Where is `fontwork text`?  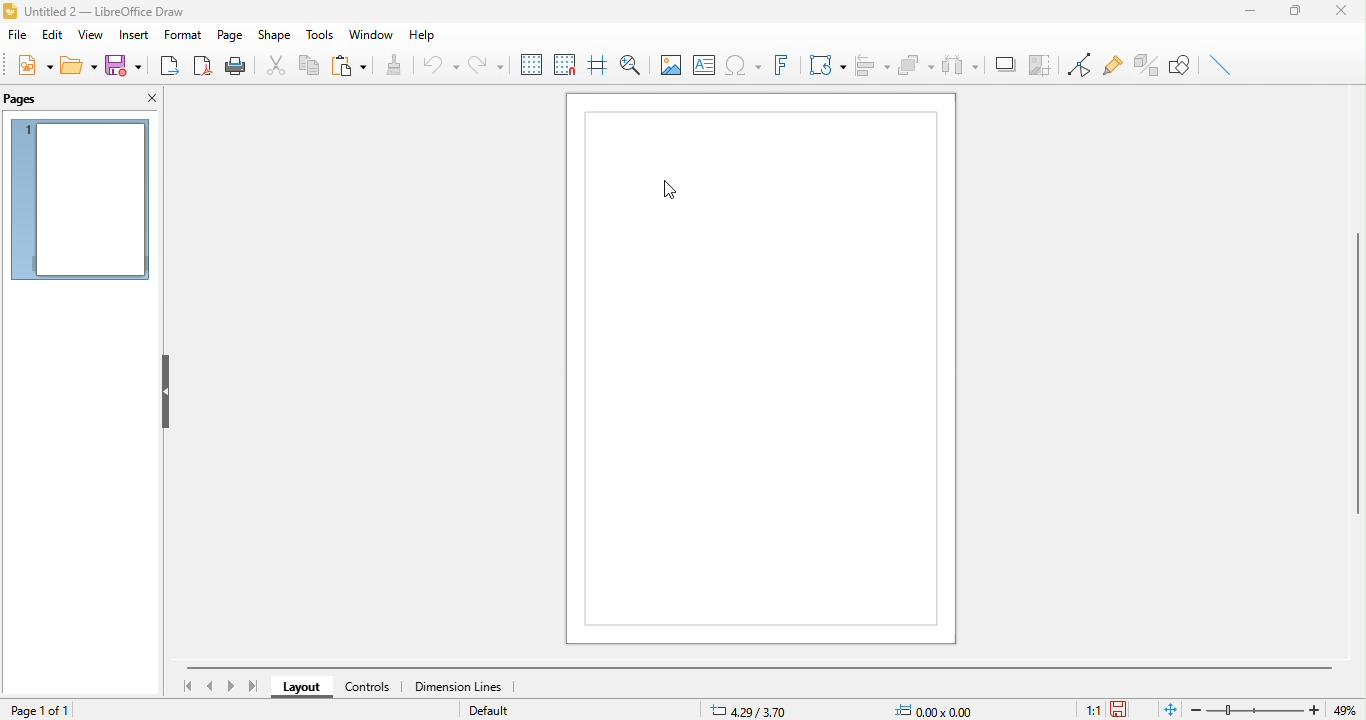 fontwork text is located at coordinates (780, 66).